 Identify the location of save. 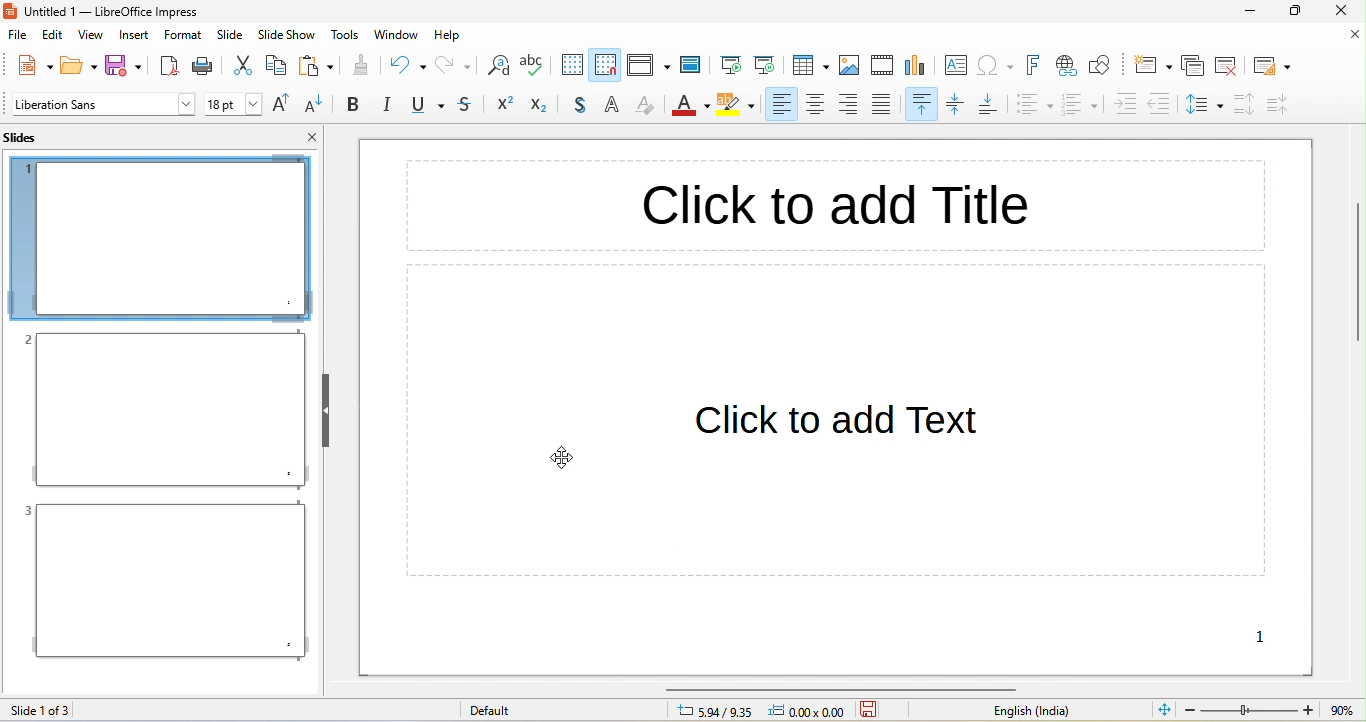
(128, 65).